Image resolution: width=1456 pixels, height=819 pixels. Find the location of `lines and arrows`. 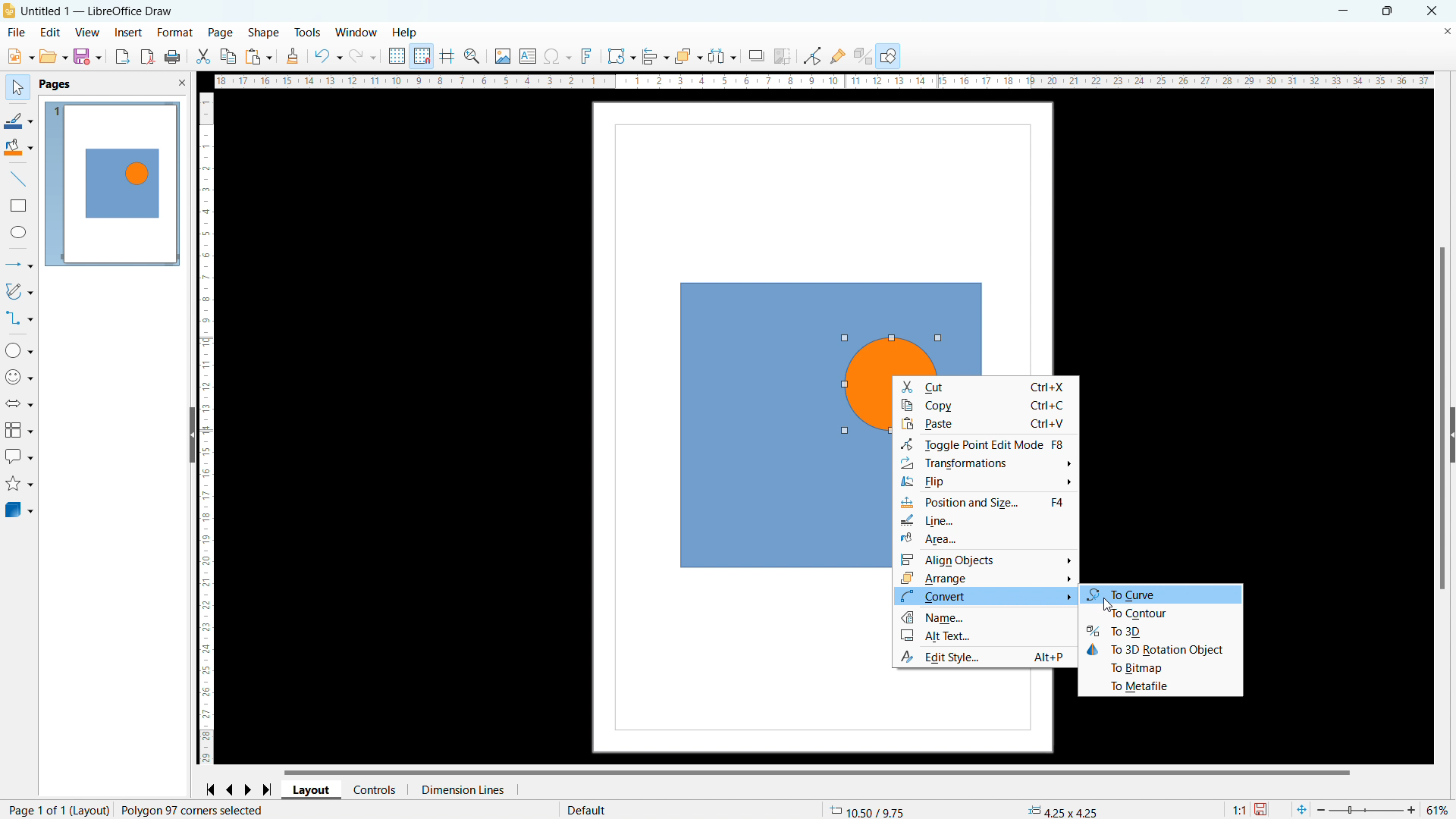

lines and arrows is located at coordinates (19, 265).